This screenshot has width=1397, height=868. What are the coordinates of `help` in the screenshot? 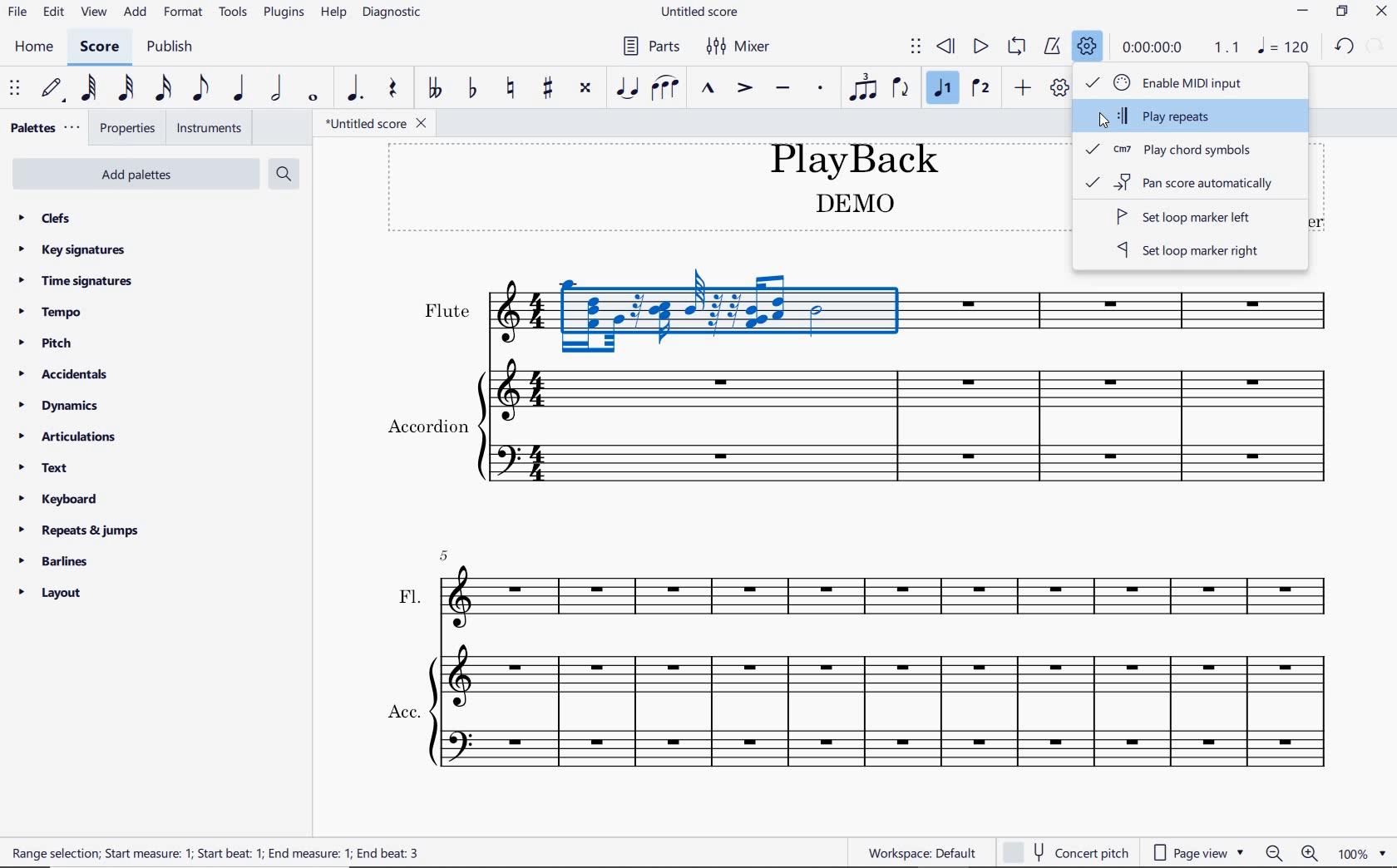 It's located at (333, 13).